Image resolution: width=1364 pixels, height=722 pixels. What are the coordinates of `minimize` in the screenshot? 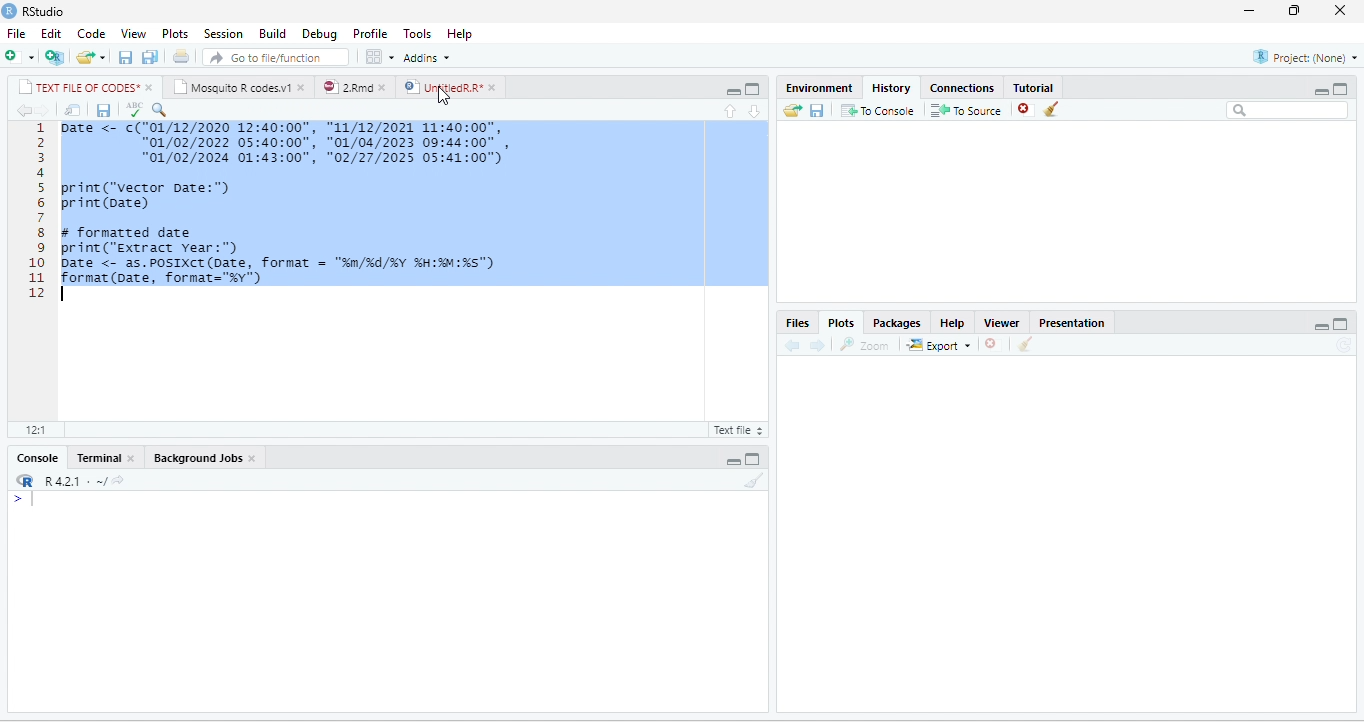 It's located at (733, 91).